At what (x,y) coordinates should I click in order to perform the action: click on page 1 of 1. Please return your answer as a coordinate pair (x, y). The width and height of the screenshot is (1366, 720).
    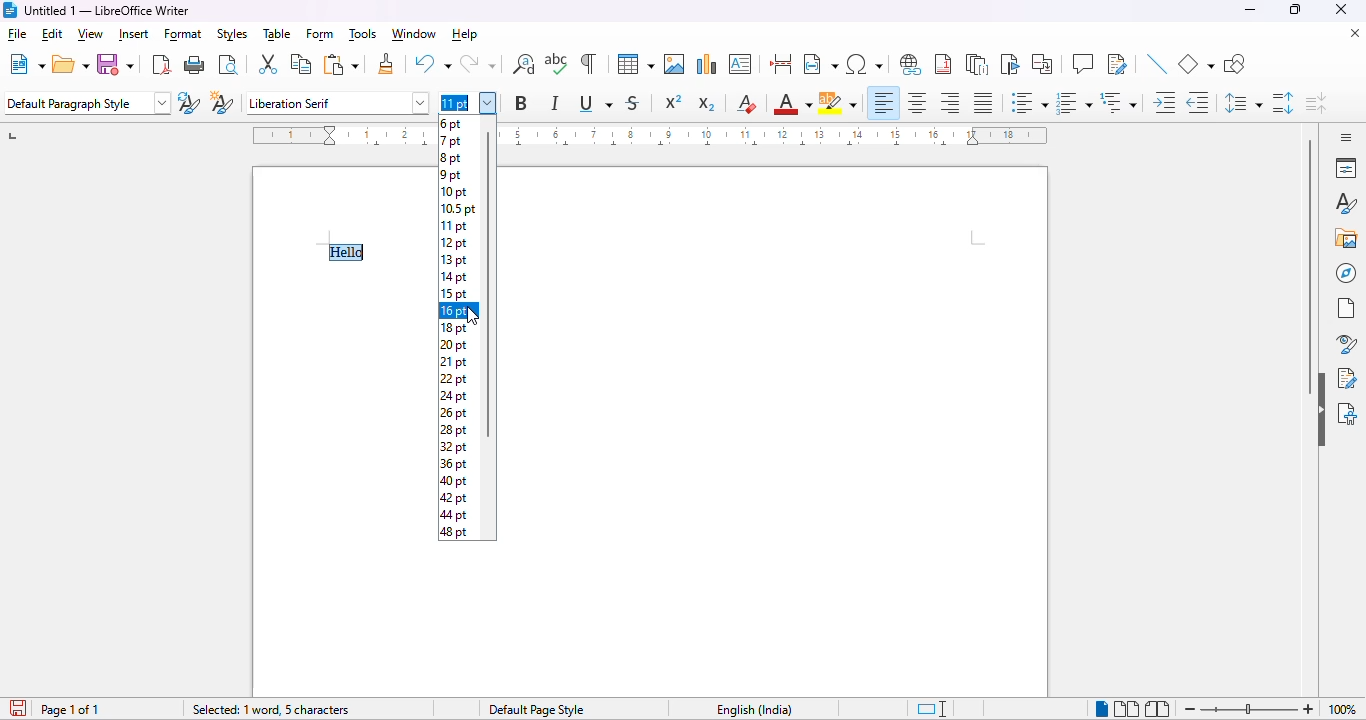
    Looking at the image, I should click on (72, 710).